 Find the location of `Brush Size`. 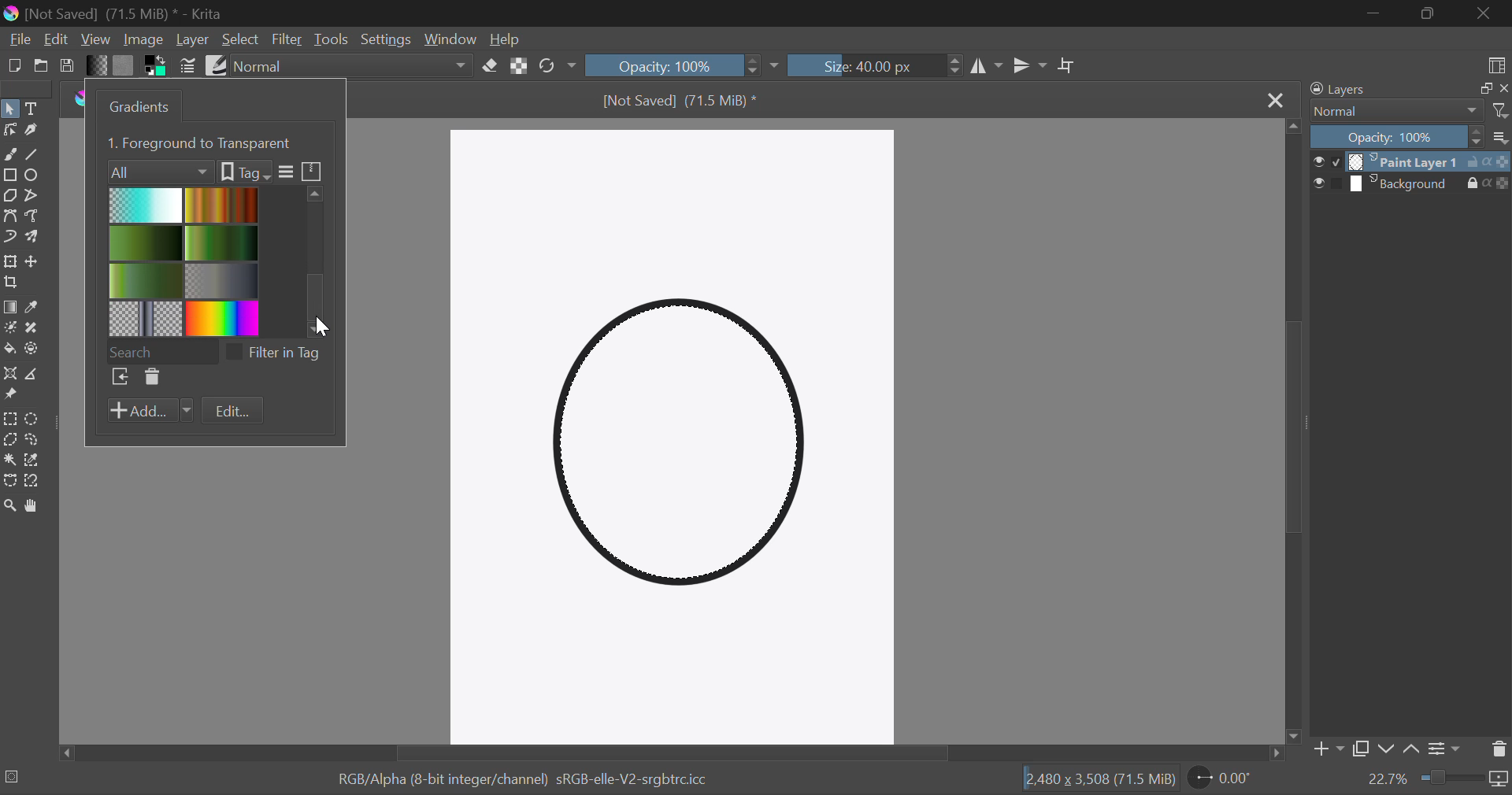

Brush Size is located at coordinates (878, 65).